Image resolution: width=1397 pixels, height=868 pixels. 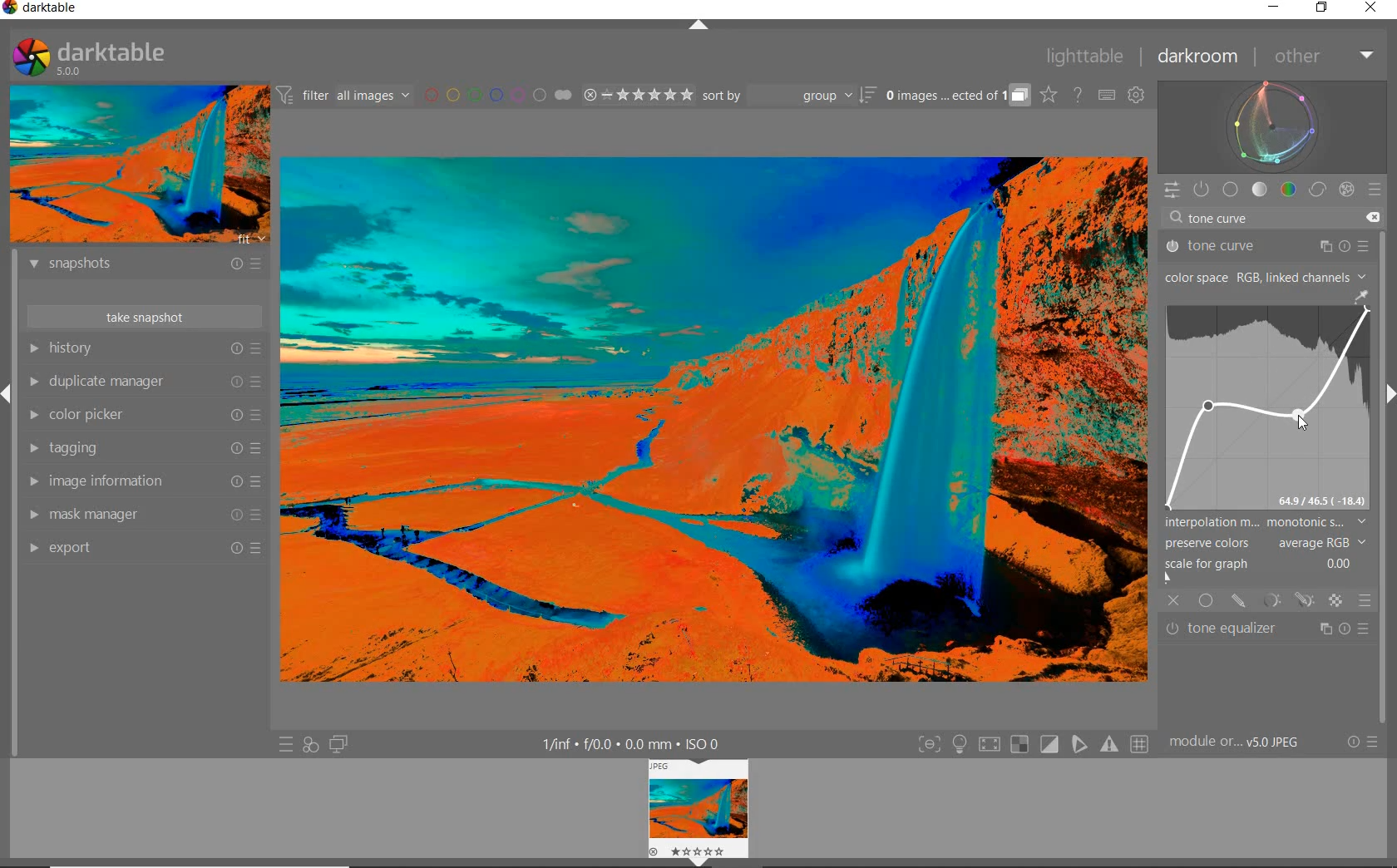 What do you see at coordinates (1362, 743) in the screenshot?
I see `RESET OR PRESETS & PREFERENCES` at bounding box center [1362, 743].